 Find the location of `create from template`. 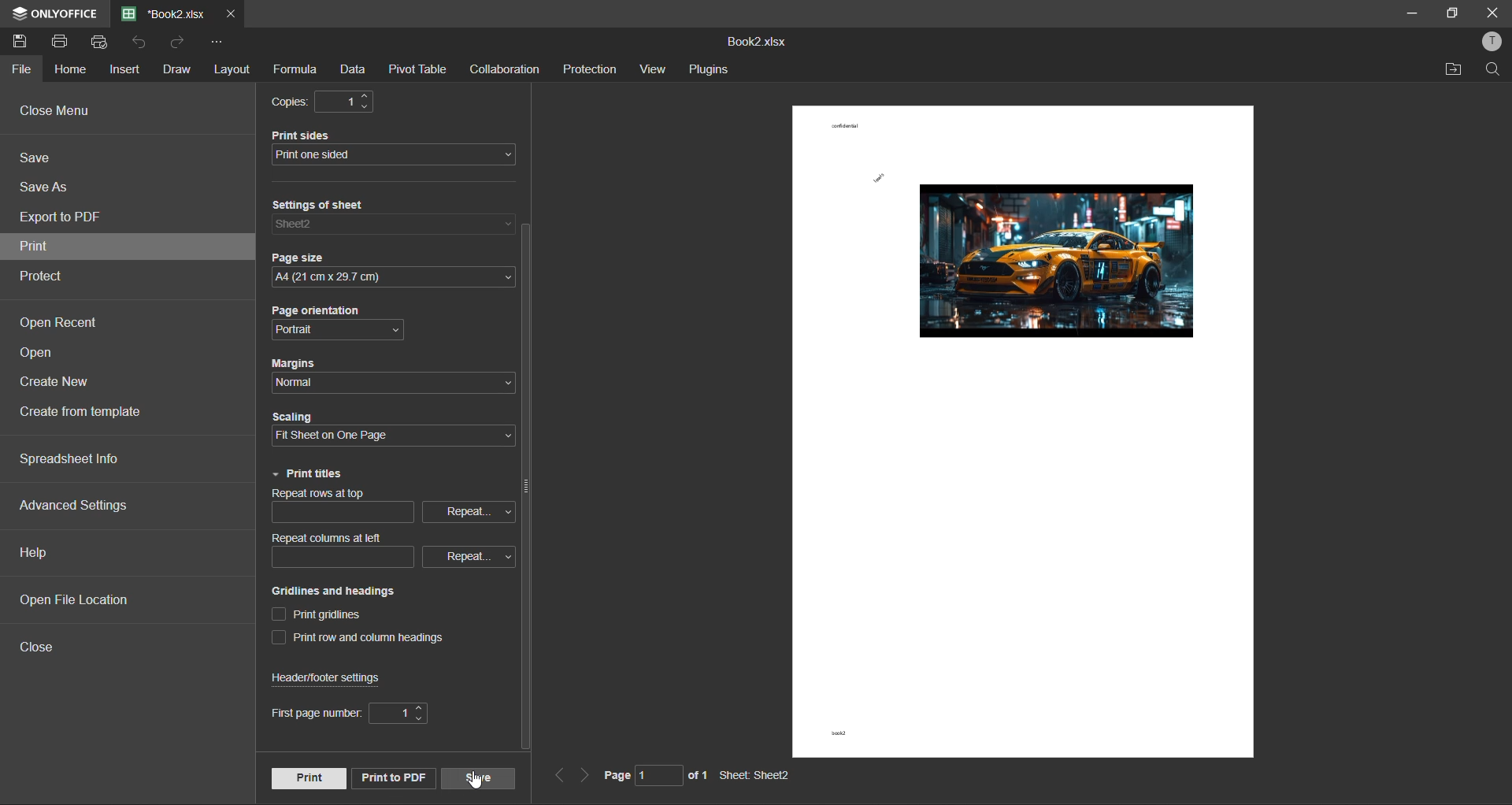

create from template is located at coordinates (90, 412).